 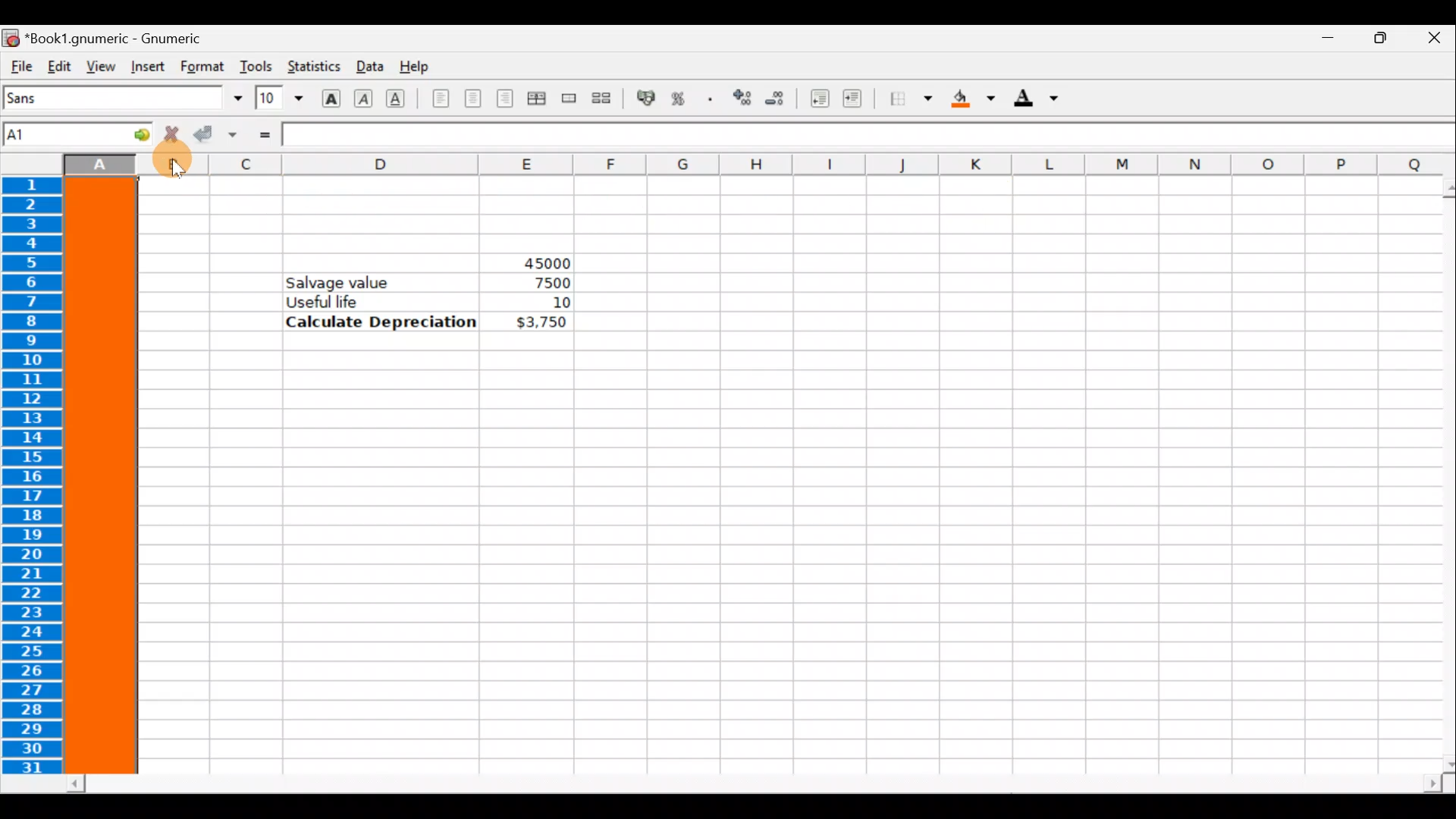 I want to click on Calculate Depreciation, so click(x=381, y=321).